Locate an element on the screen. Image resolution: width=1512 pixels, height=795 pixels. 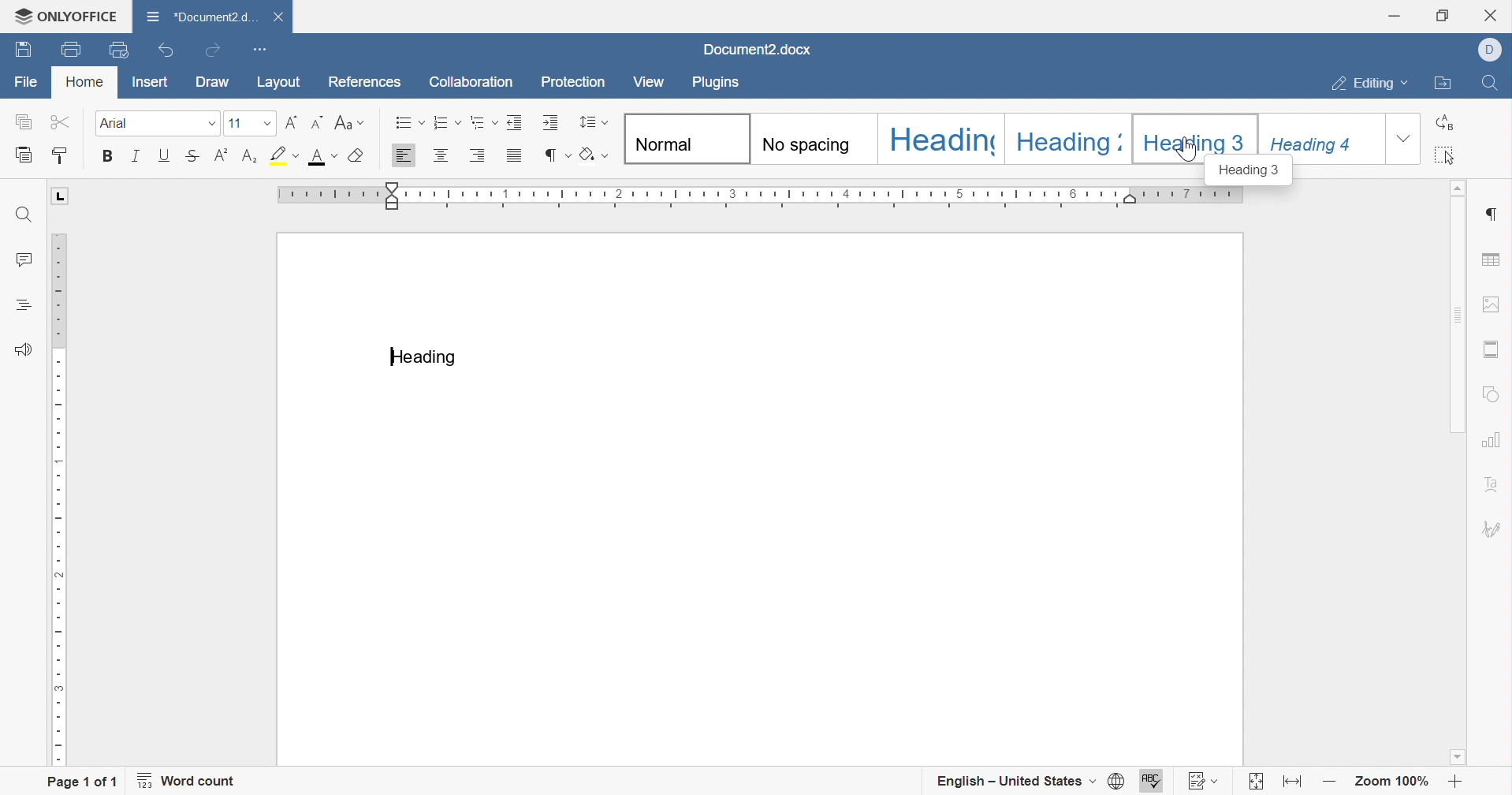
Insert is located at coordinates (149, 80).